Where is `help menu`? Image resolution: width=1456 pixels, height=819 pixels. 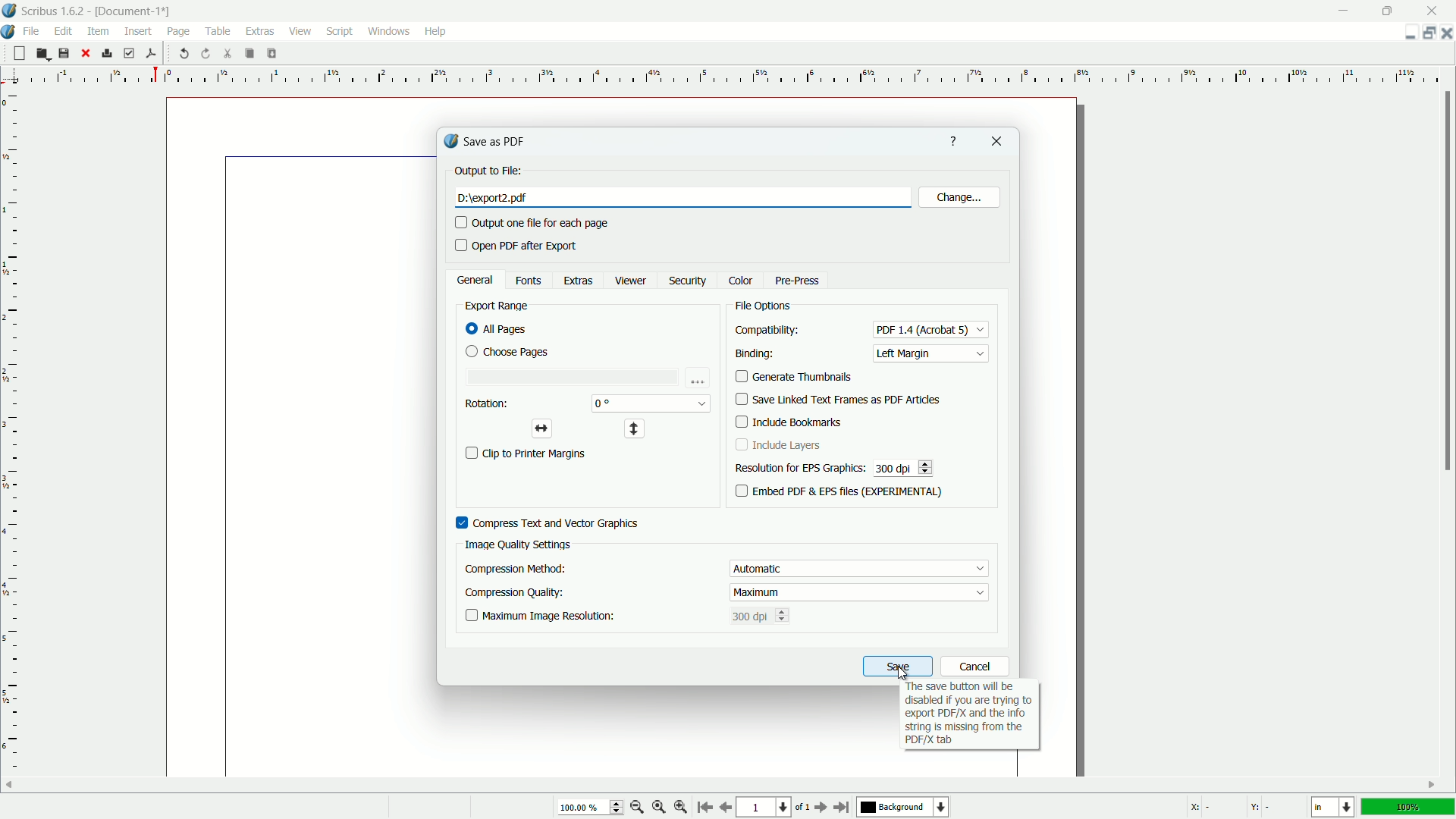 help menu is located at coordinates (435, 32).